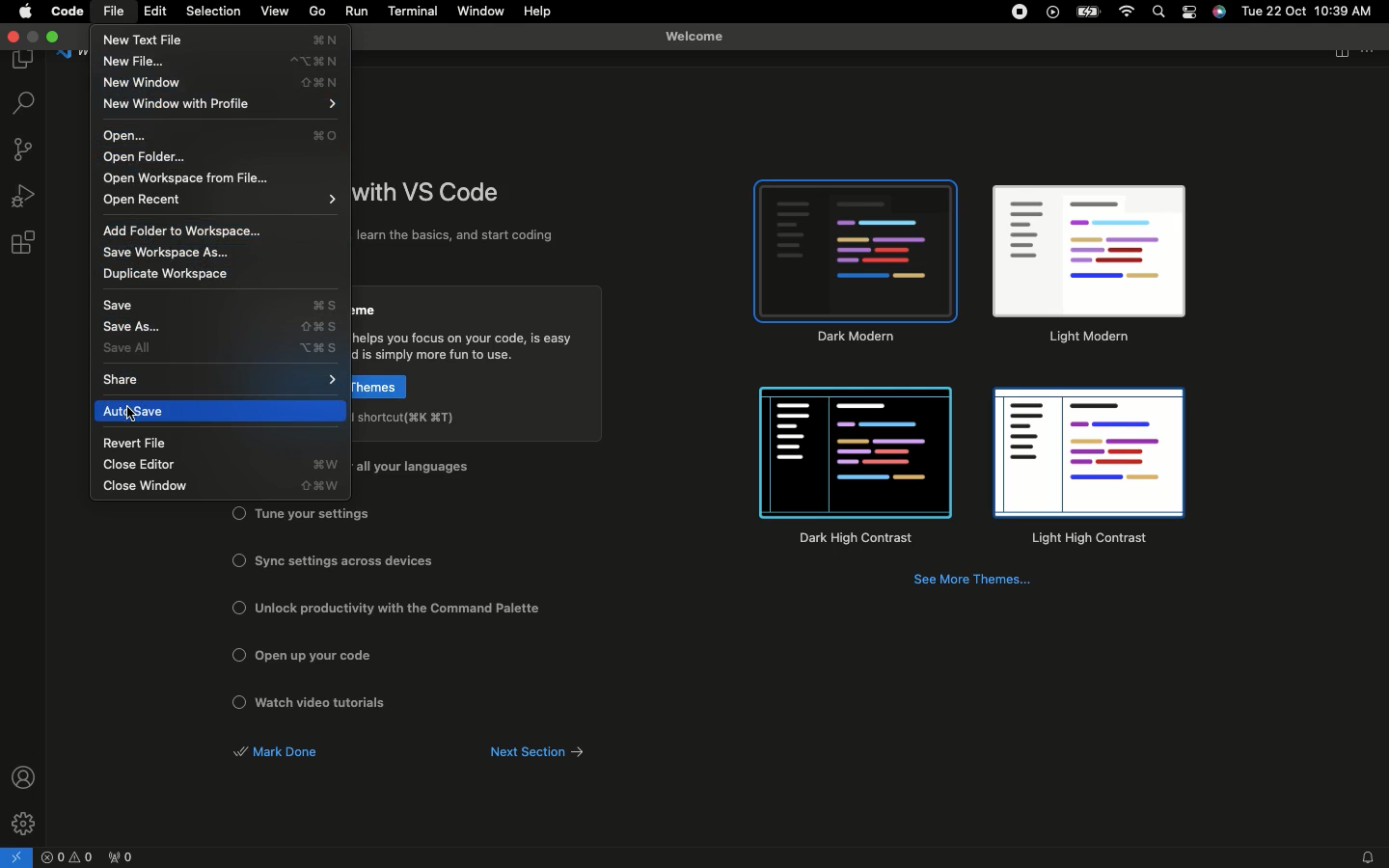  What do you see at coordinates (218, 465) in the screenshot?
I see `Close editor` at bounding box center [218, 465].